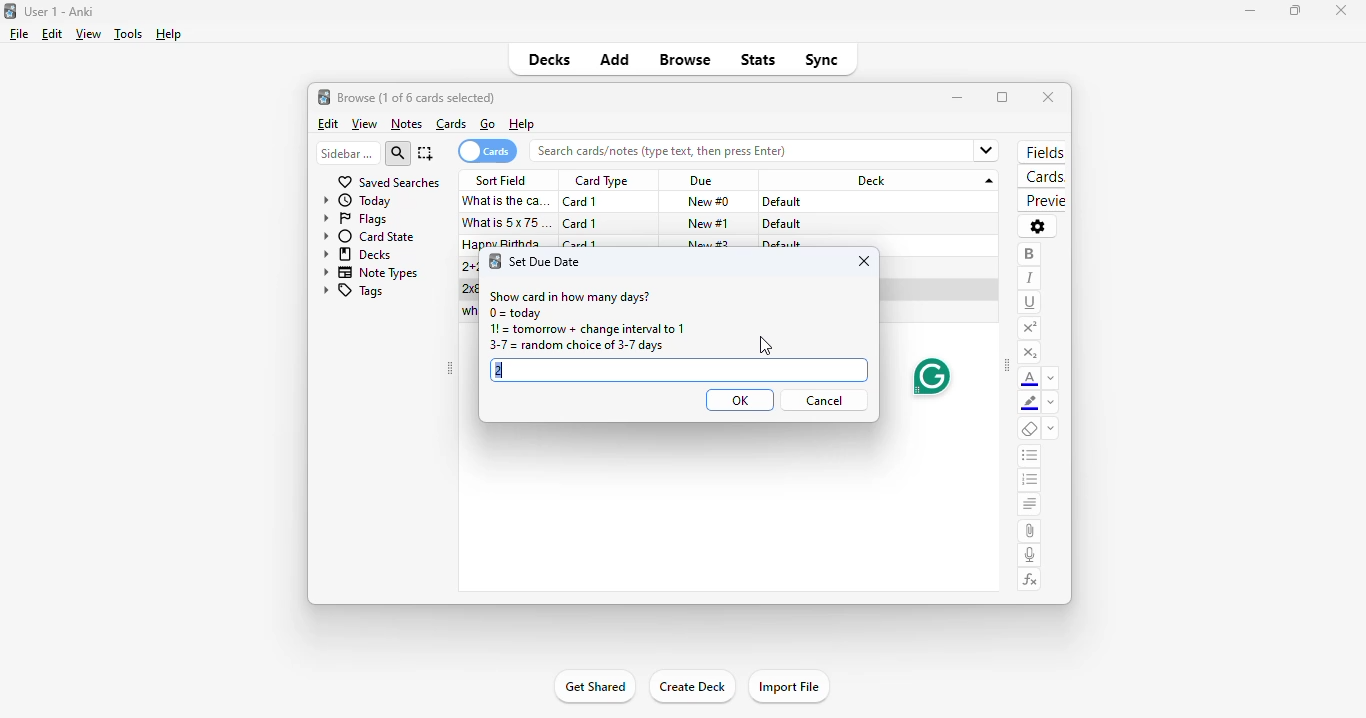 The height and width of the screenshot is (718, 1366). I want to click on attach pictures/audio/video, so click(1029, 531).